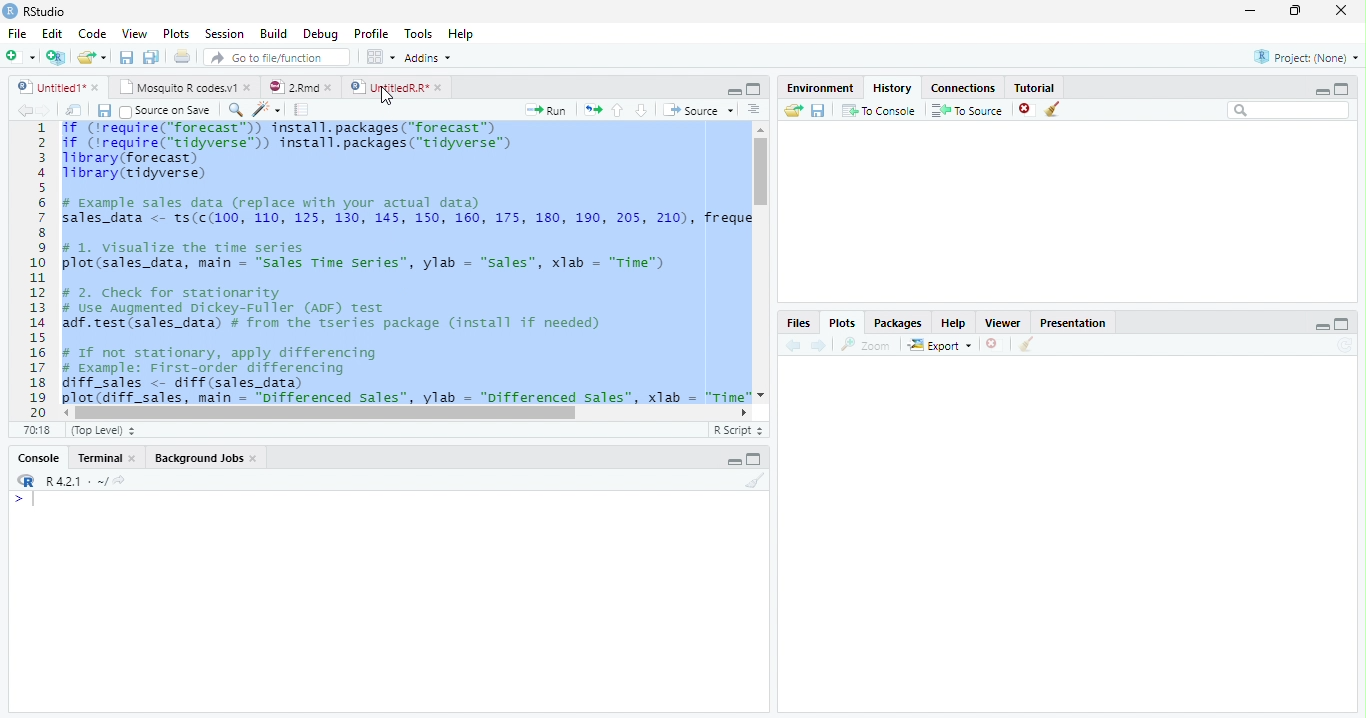 This screenshot has width=1366, height=718. I want to click on Close, so click(1343, 11).